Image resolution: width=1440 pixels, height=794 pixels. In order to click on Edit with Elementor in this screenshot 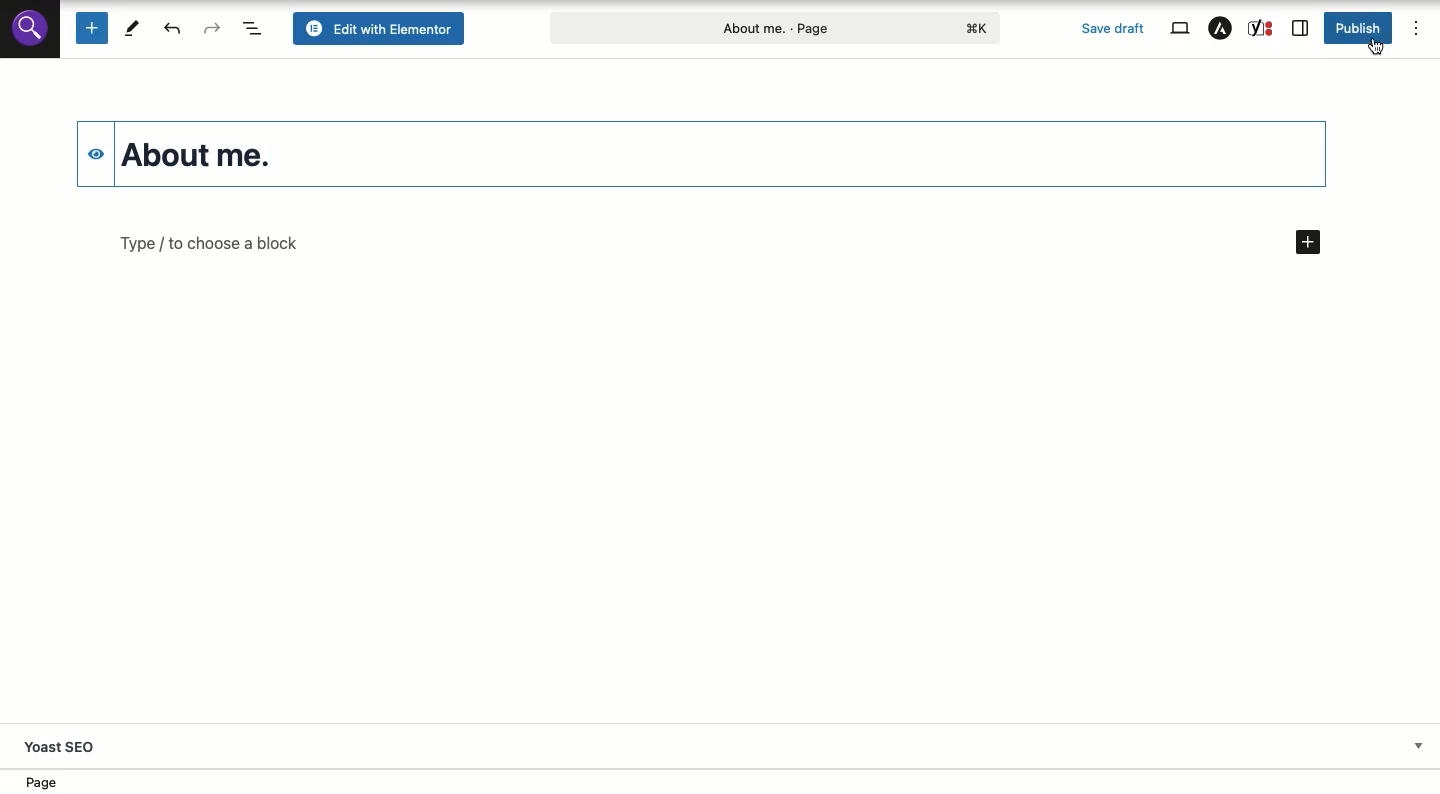, I will do `click(382, 28)`.